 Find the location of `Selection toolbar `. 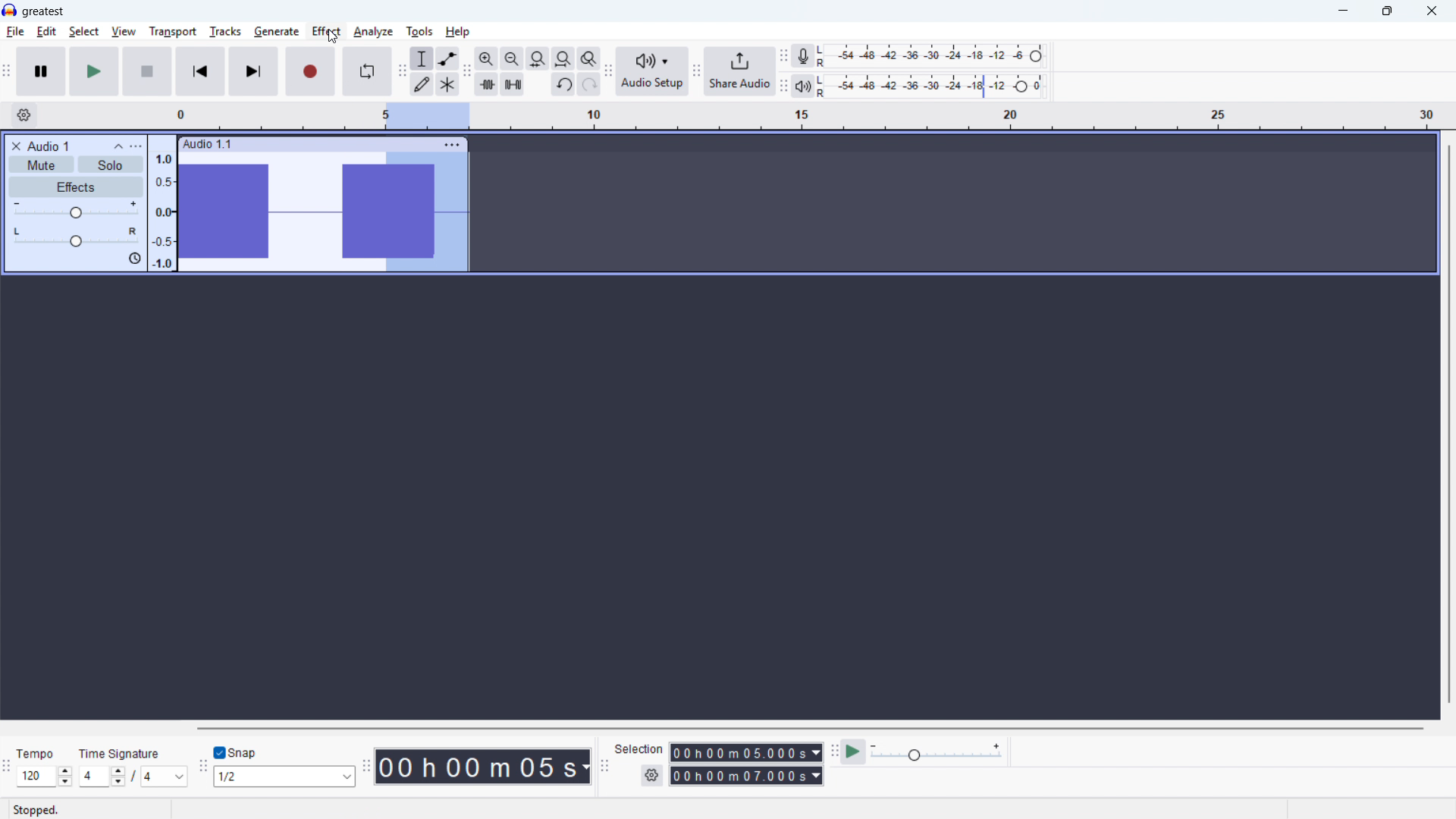

Selection toolbar  is located at coordinates (607, 768).